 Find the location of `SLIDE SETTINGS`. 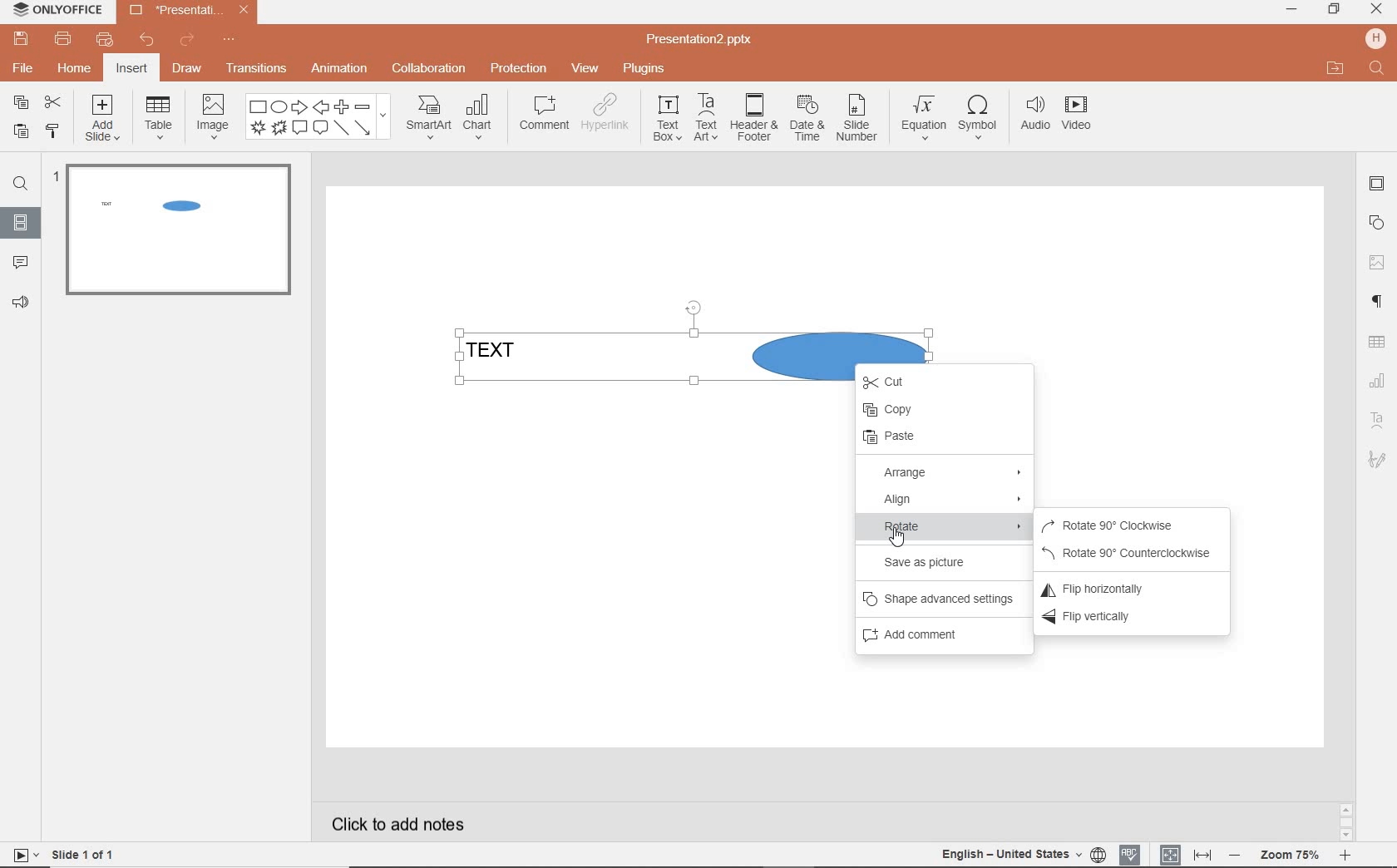

SLIDE SETTINGS is located at coordinates (1377, 185).